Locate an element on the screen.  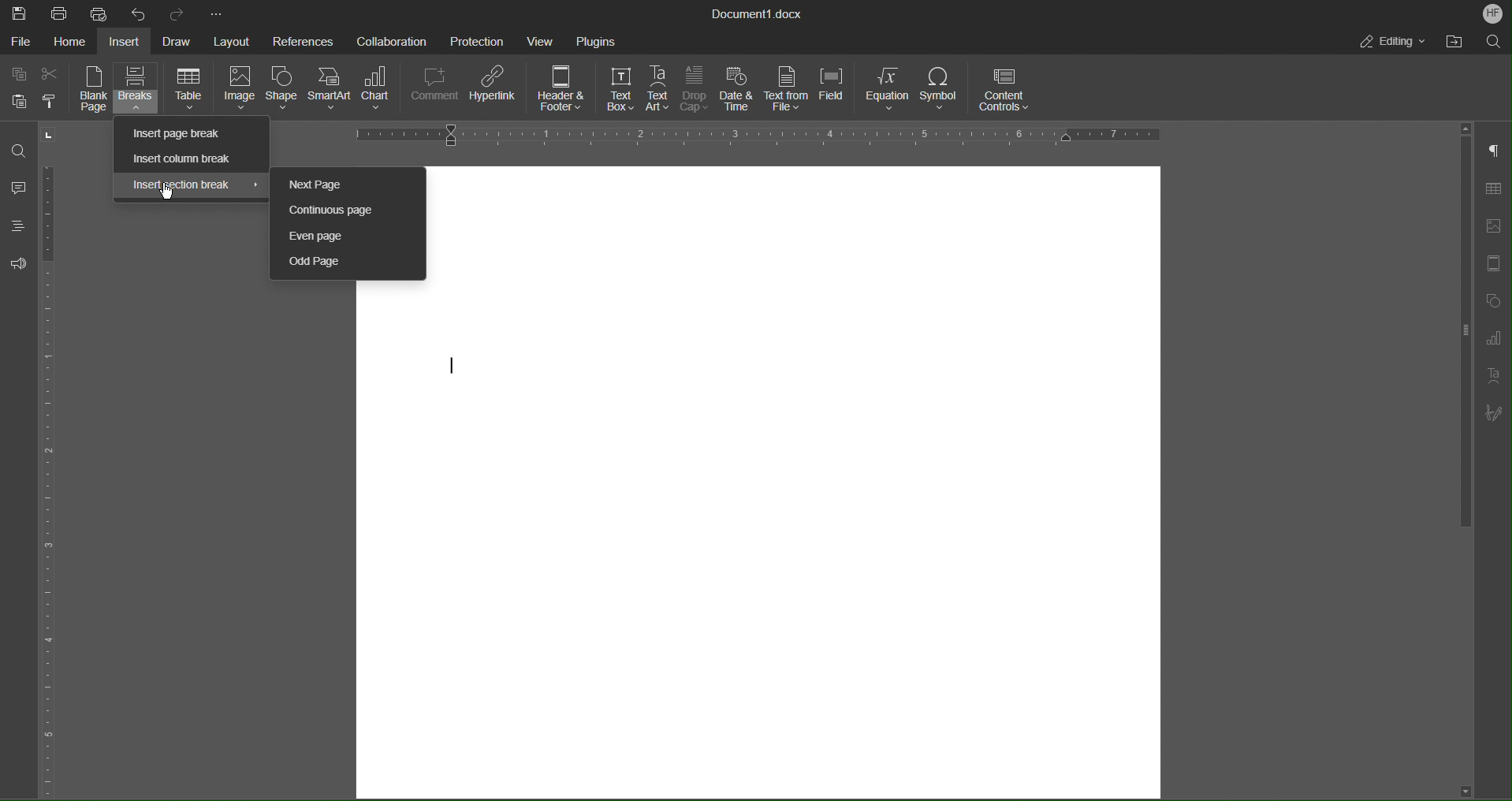
Header and Footer is located at coordinates (564, 89).